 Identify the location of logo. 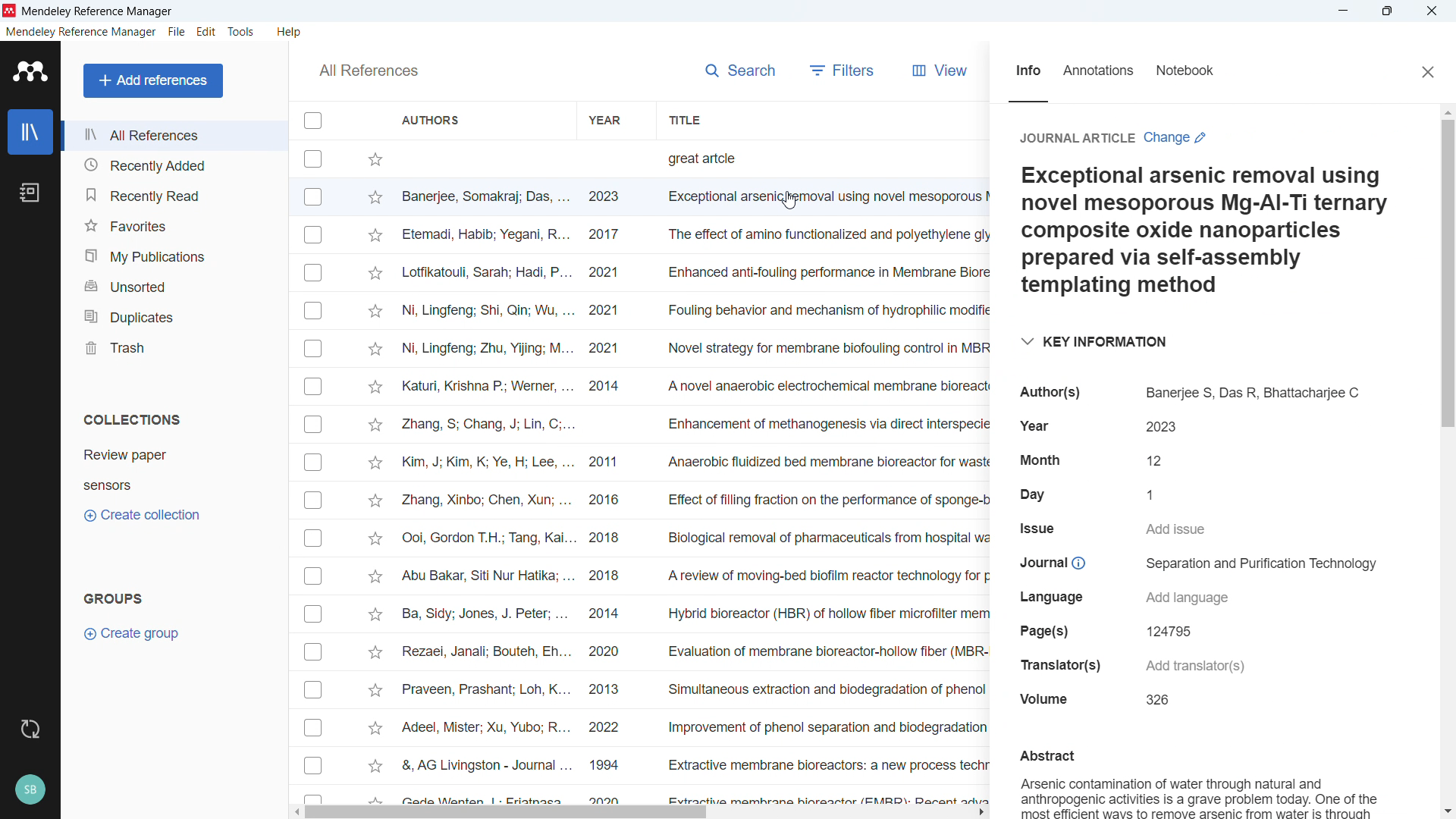
(32, 71).